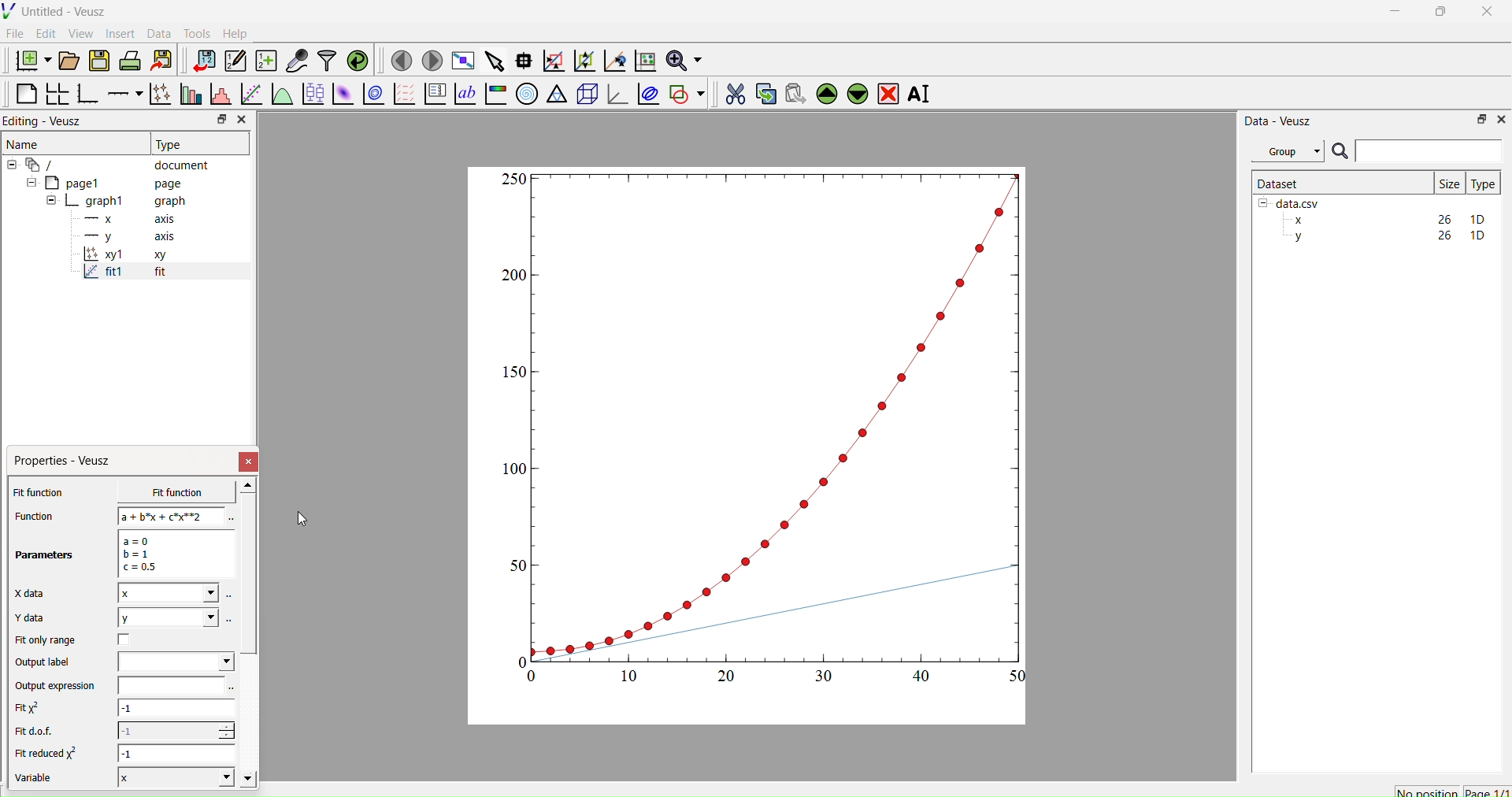 This screenshot has width=1512, height=797. What do you see at coordinates (40, 492) in the screenshot?
I see `Fit function` at bounding box center [40, 492].